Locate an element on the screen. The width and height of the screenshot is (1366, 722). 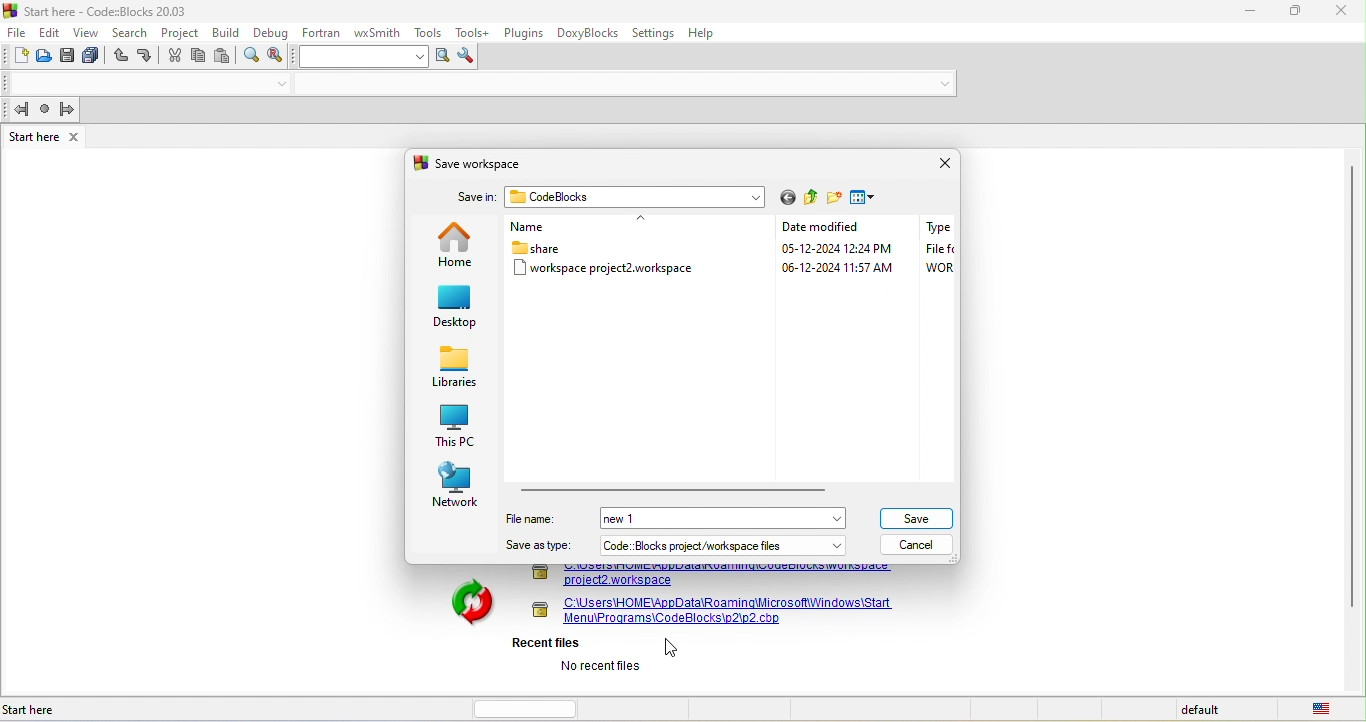
file name is located at coordinates (537, 518).